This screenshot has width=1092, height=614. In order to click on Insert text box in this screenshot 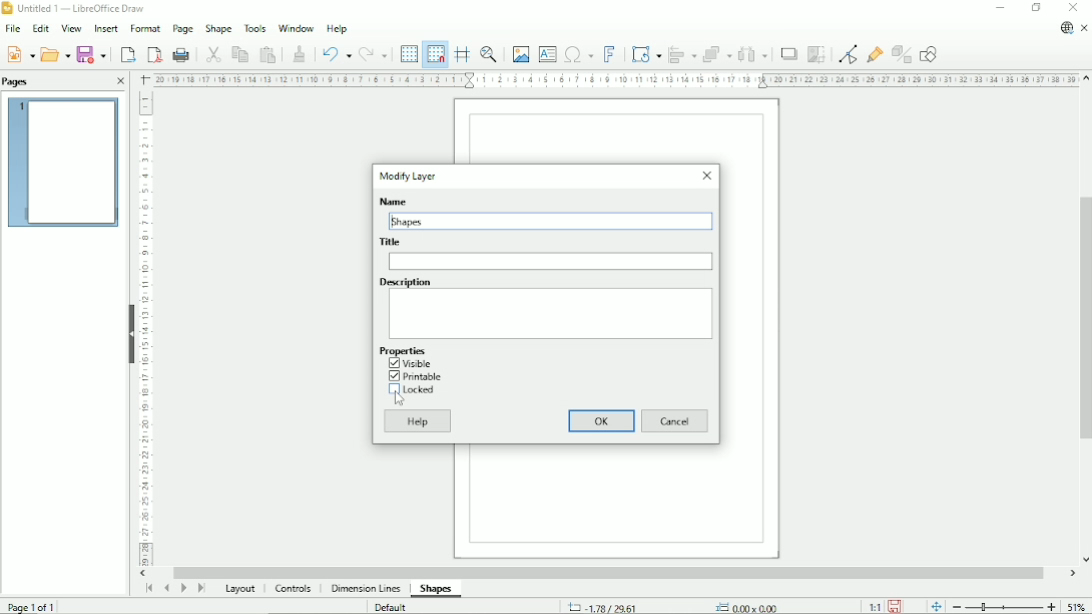, I will do `click(548, 53)`.